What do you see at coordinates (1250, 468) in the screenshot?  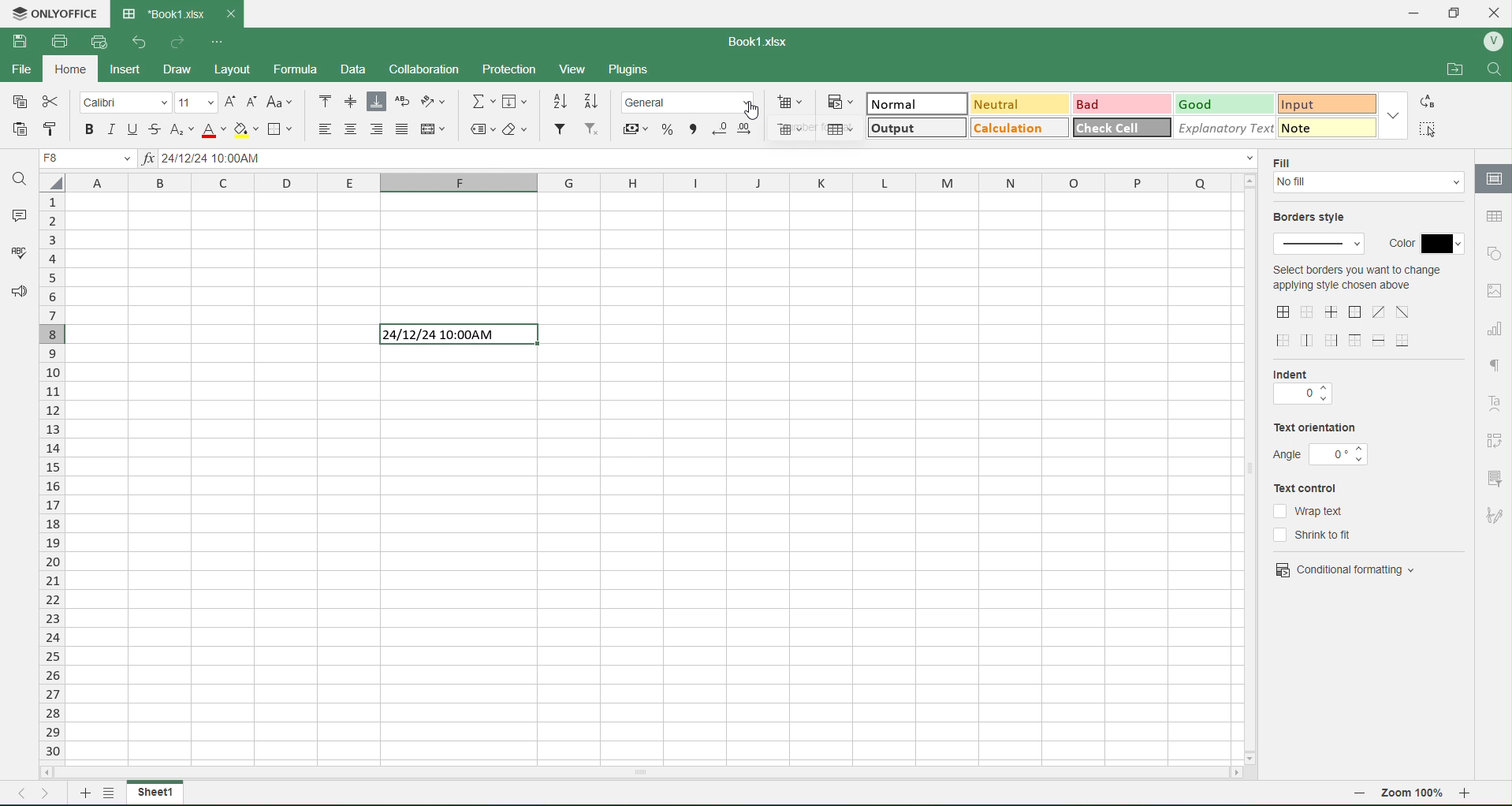 I see `vertical scrol bar` at bounding box center [1250, 468].